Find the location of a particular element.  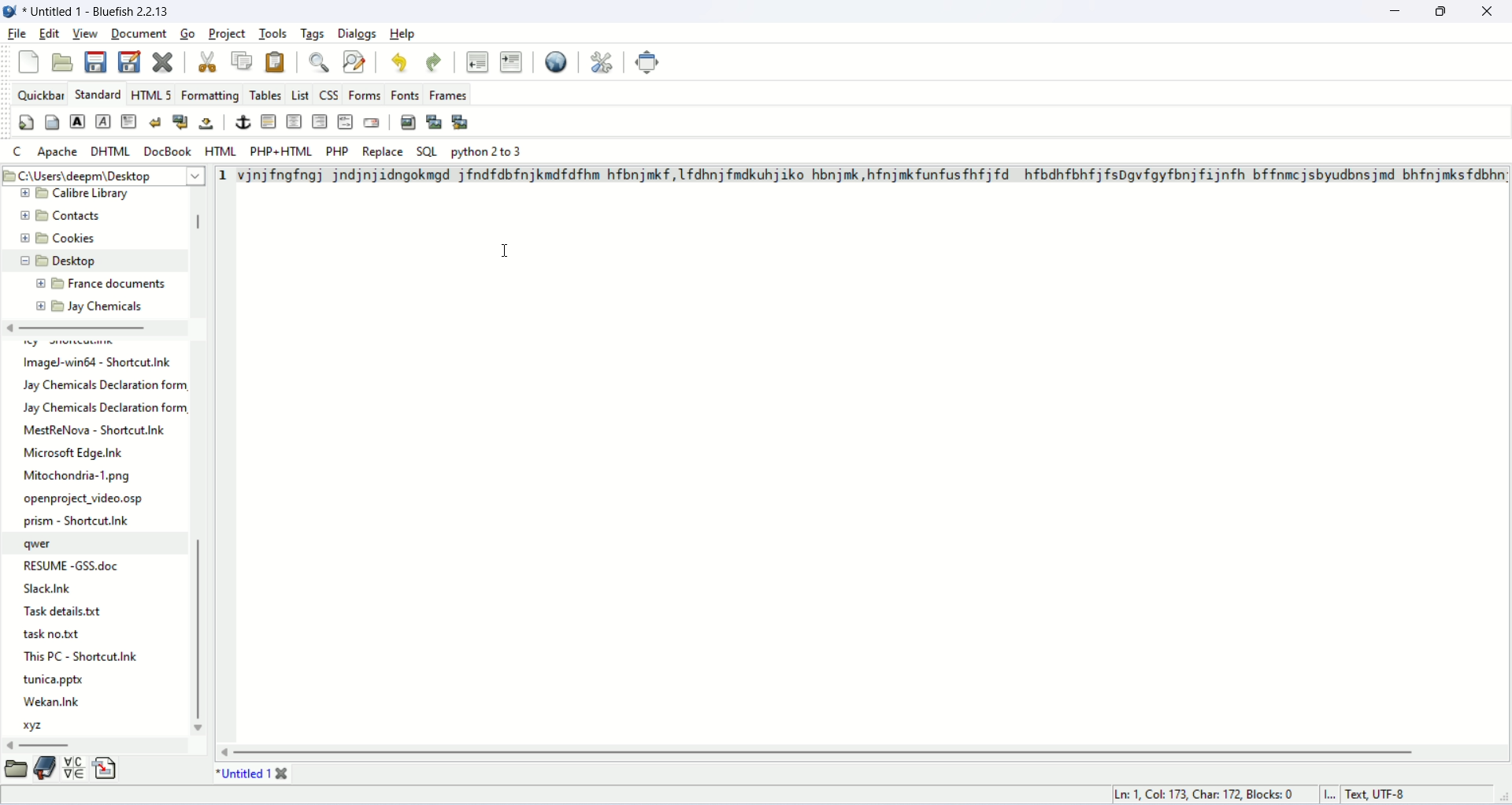

PHP+HTML is located at coordinates (277, 151).